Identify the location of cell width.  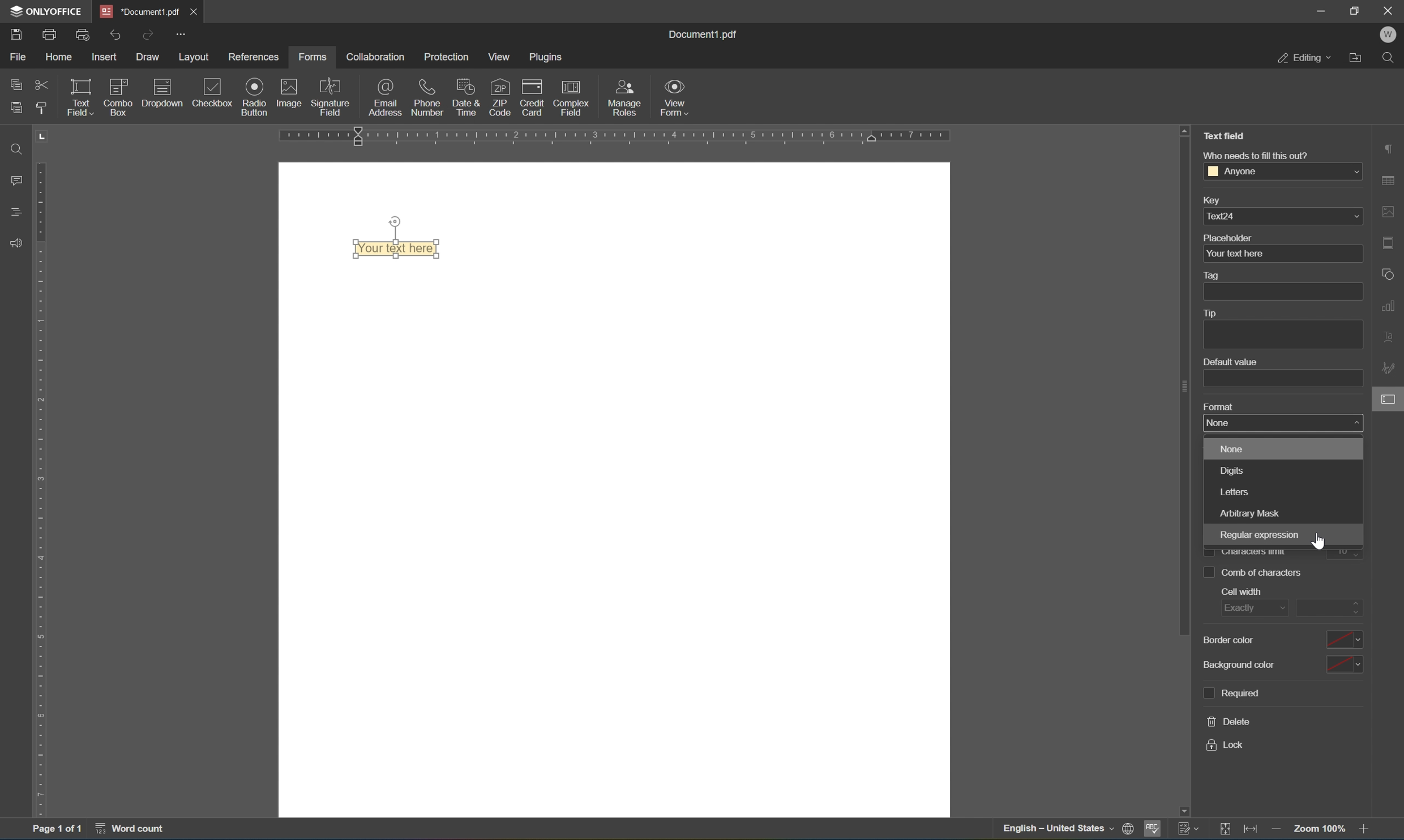
(1247, 593).